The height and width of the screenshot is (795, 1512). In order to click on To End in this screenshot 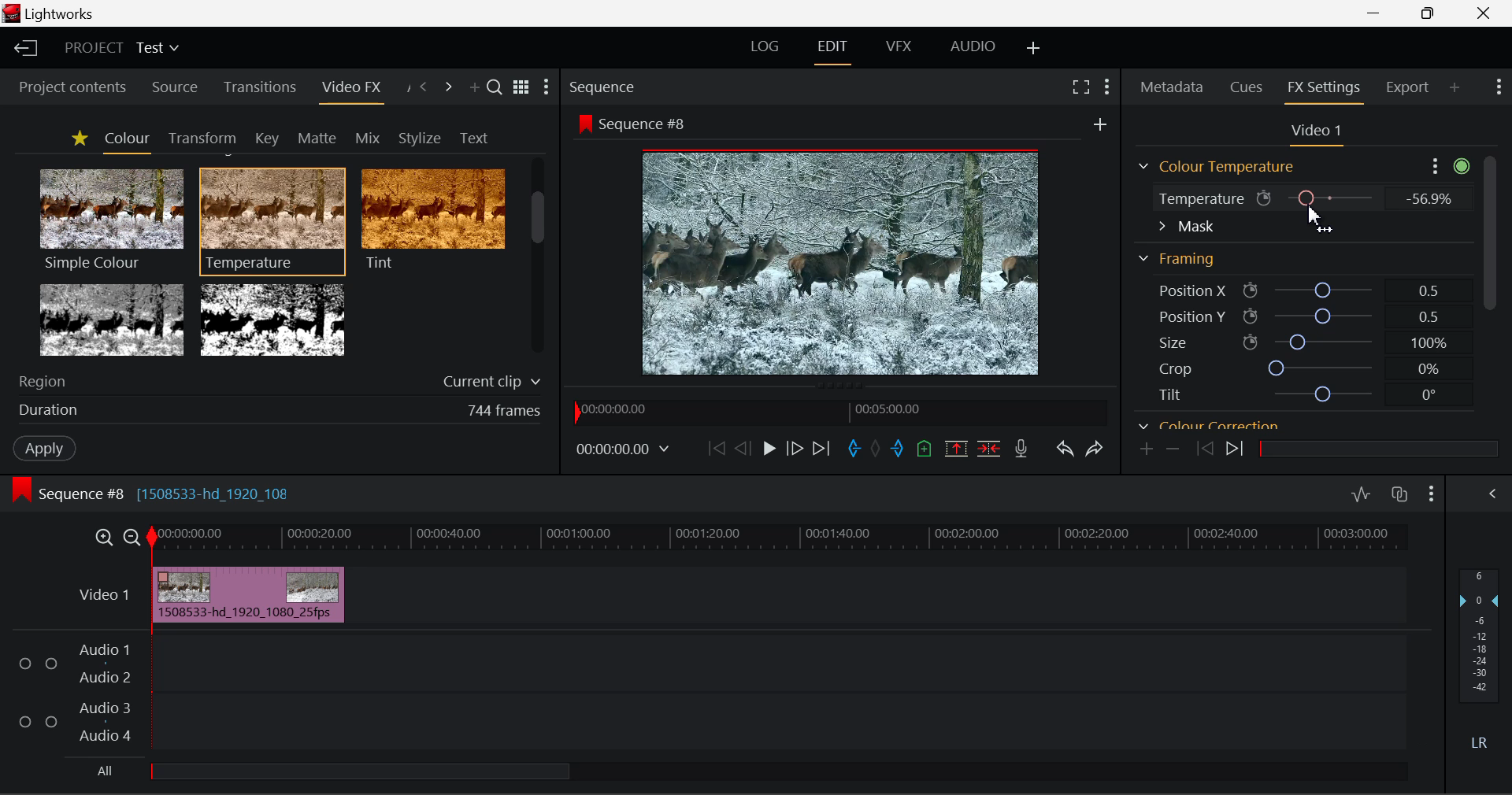, I will do `click(825, 449)`.